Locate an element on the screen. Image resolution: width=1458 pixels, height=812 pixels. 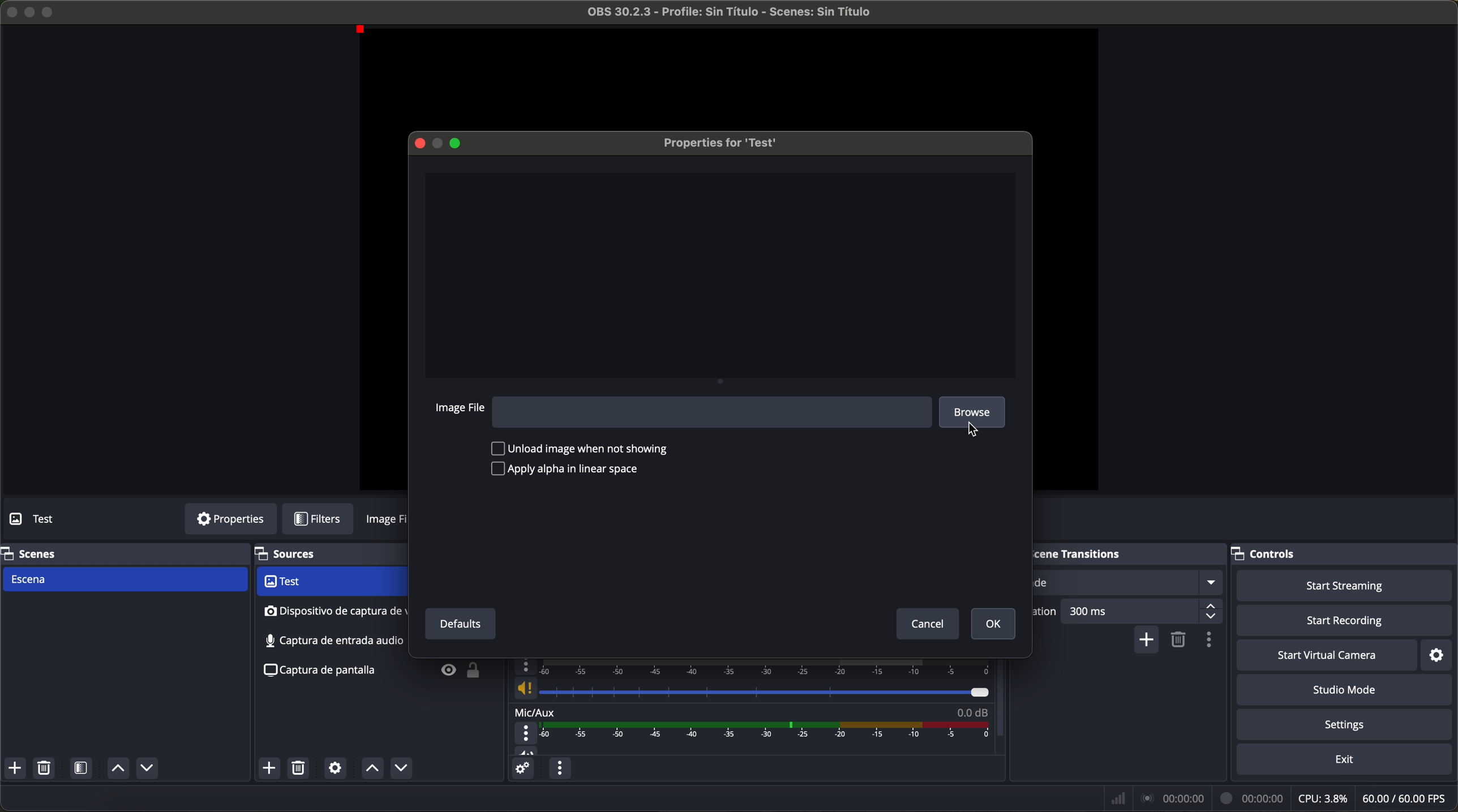
click on add source is located at coordinates (272, 769).